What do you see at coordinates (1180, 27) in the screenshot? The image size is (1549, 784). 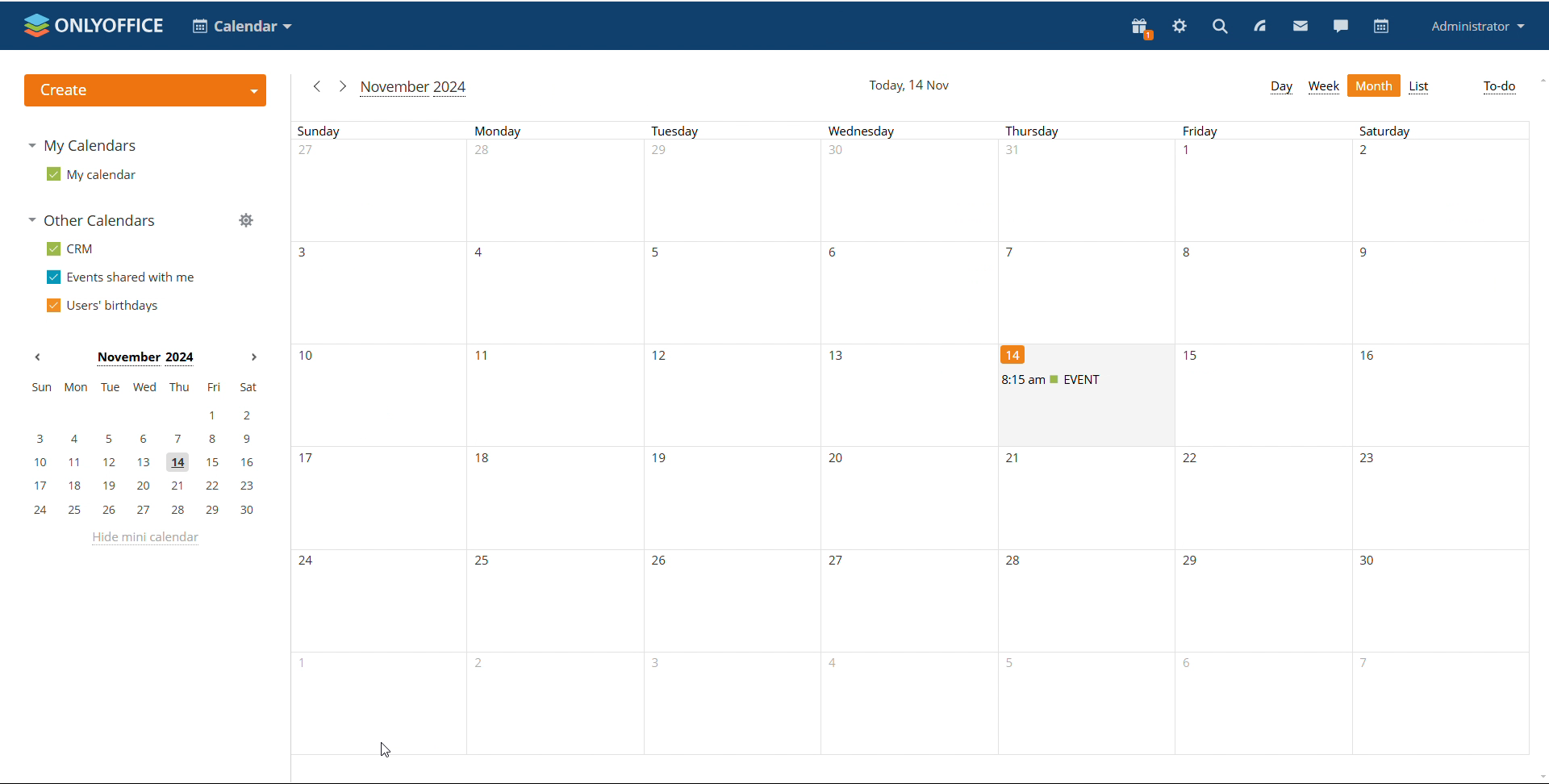 I see `settings` at bounding box center [1180, 27].